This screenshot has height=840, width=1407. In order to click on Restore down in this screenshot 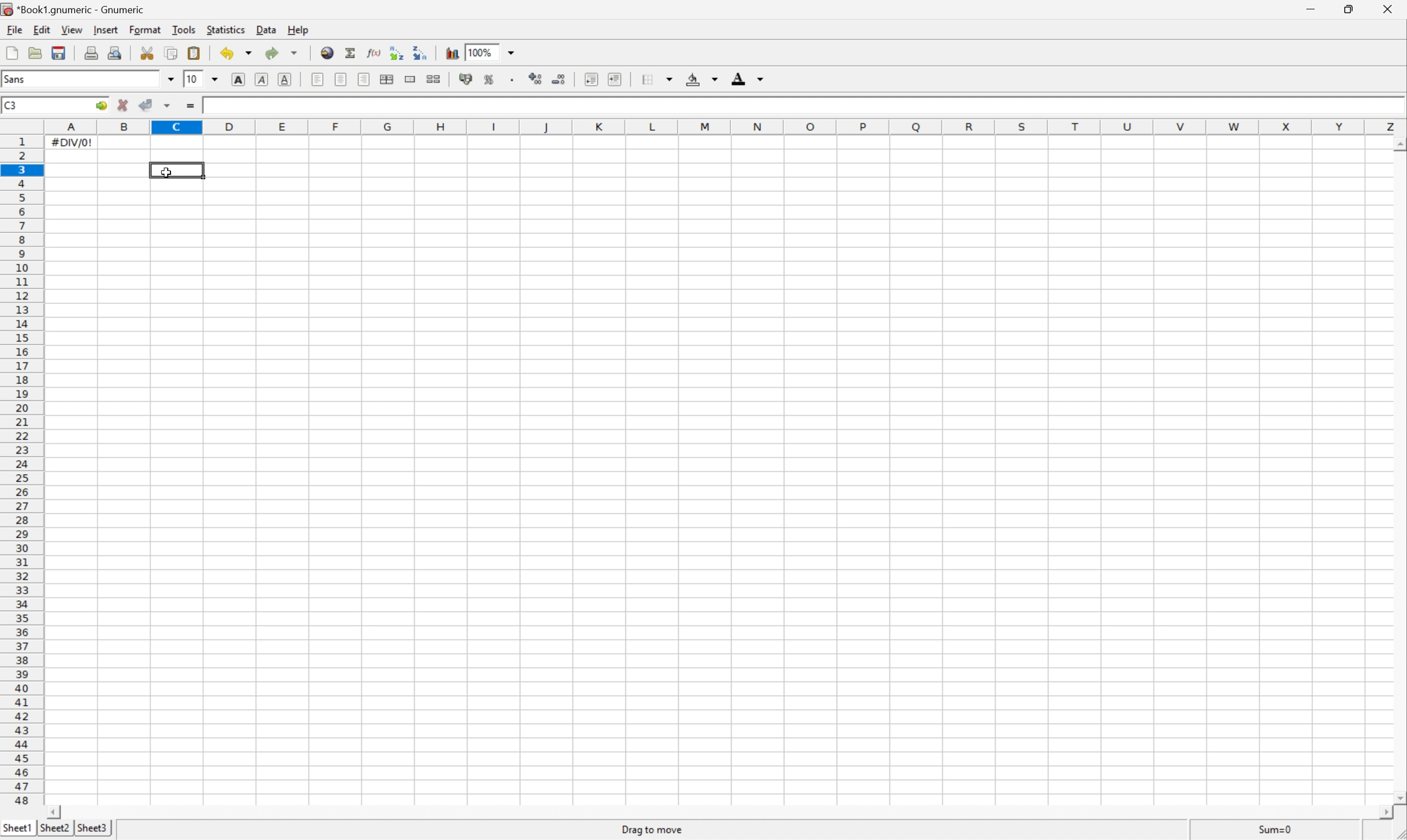, I will do `click(1350, 8)`.